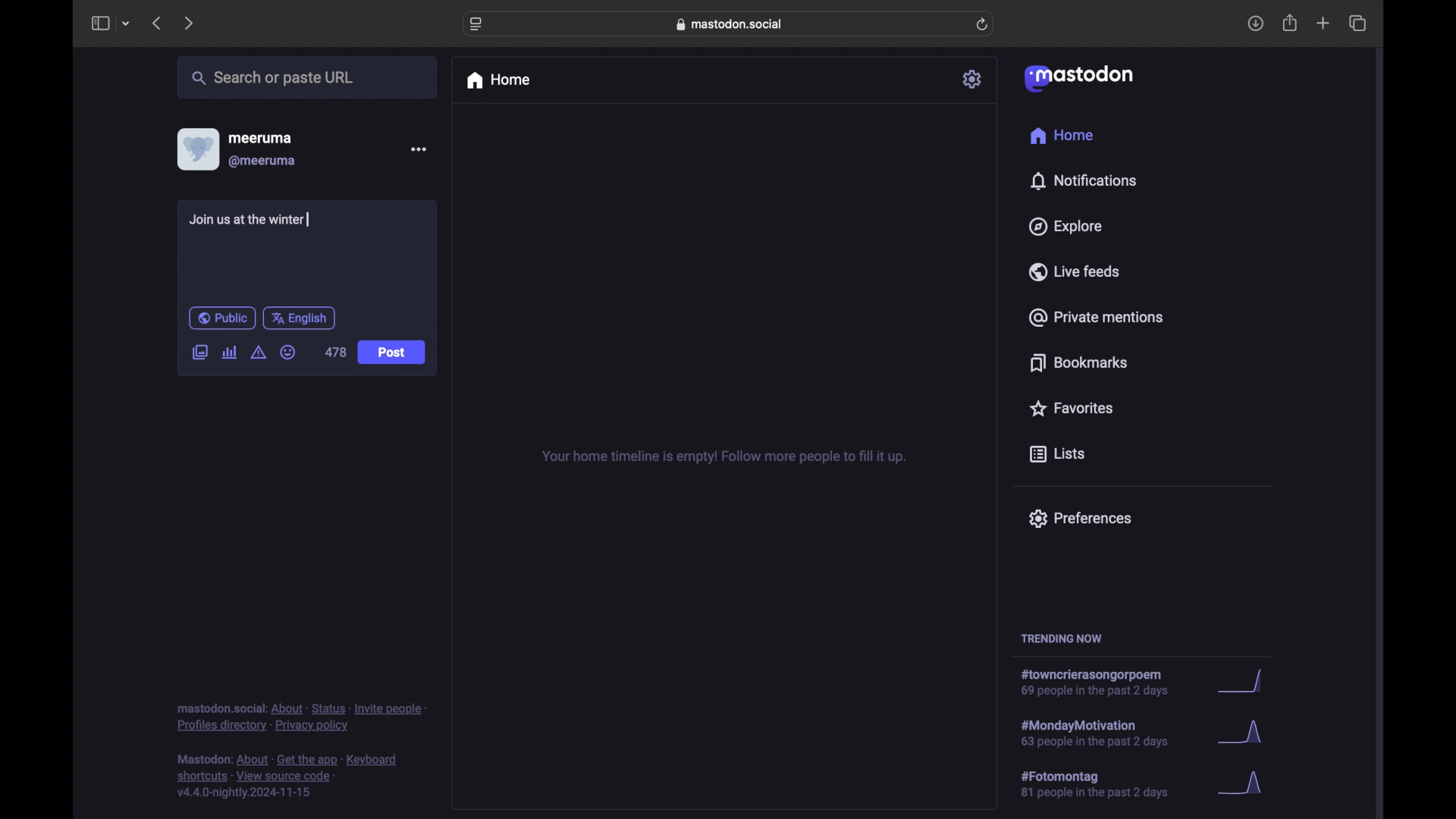 This screenshot has height=819, width=1456. I want to click on next, so click(190, 23).